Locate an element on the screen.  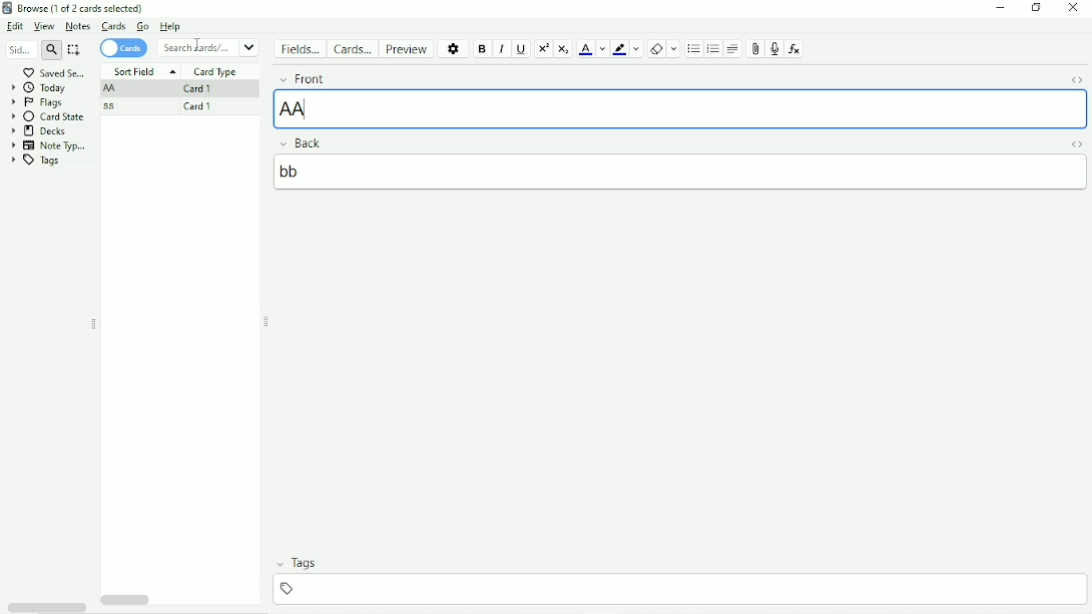
Select is located at coordinates (76, 50).